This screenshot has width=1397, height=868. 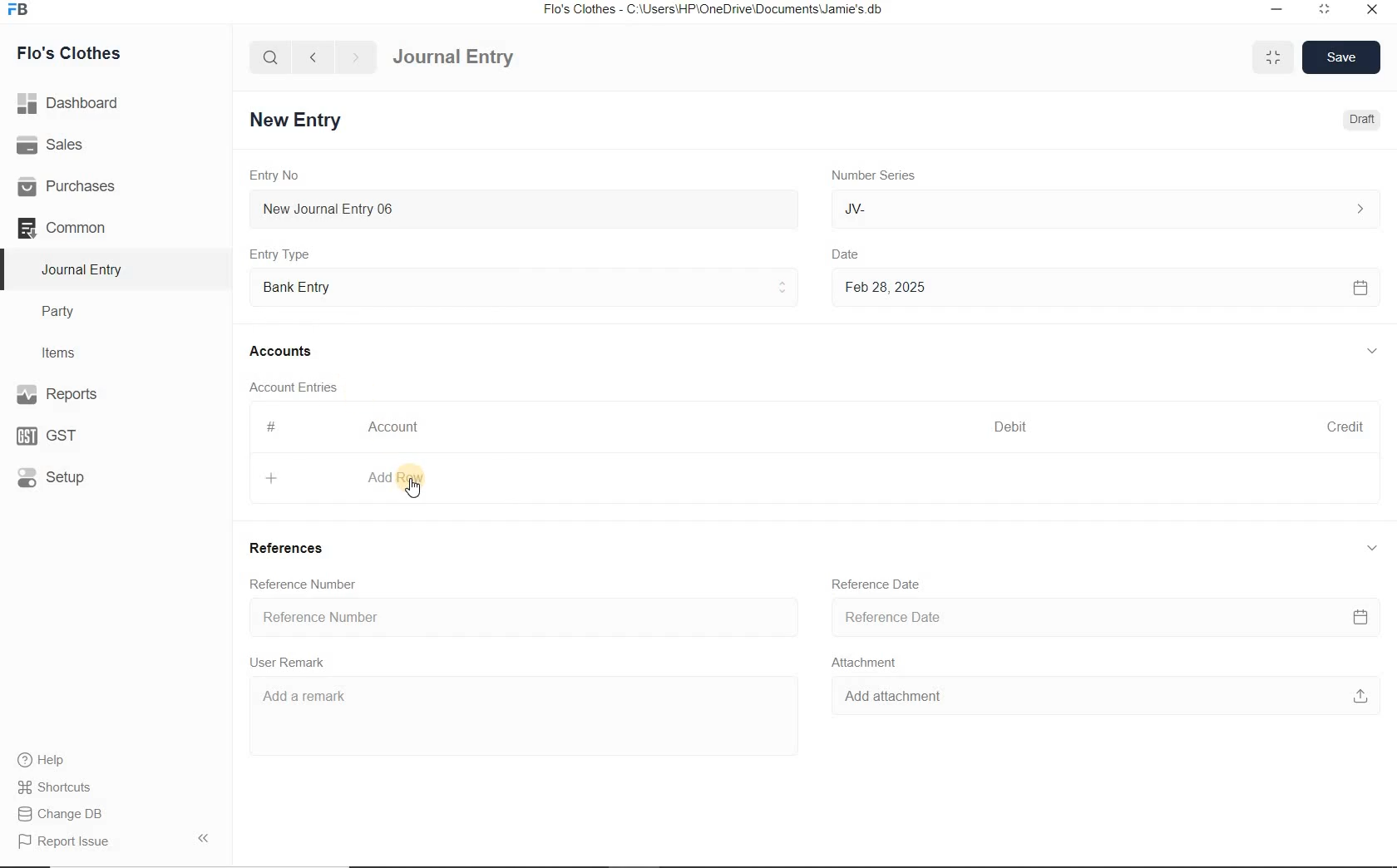 I want to click on Purchases, so click(x=74, y=185).